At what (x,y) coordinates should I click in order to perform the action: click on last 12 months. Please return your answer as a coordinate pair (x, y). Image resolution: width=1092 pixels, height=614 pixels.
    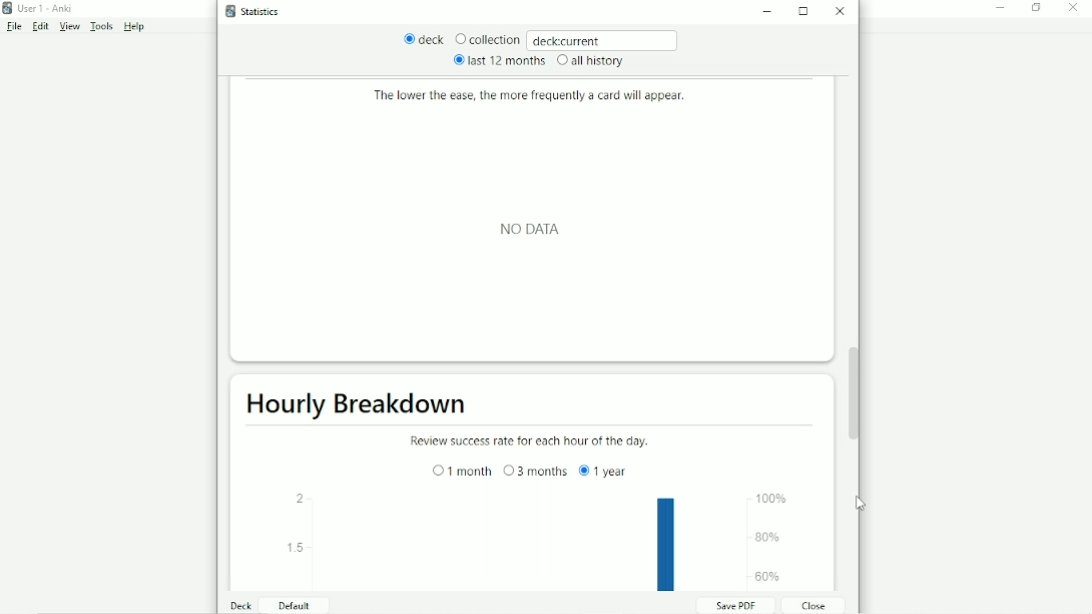
    Looking at the image, I should click on (498, 60).